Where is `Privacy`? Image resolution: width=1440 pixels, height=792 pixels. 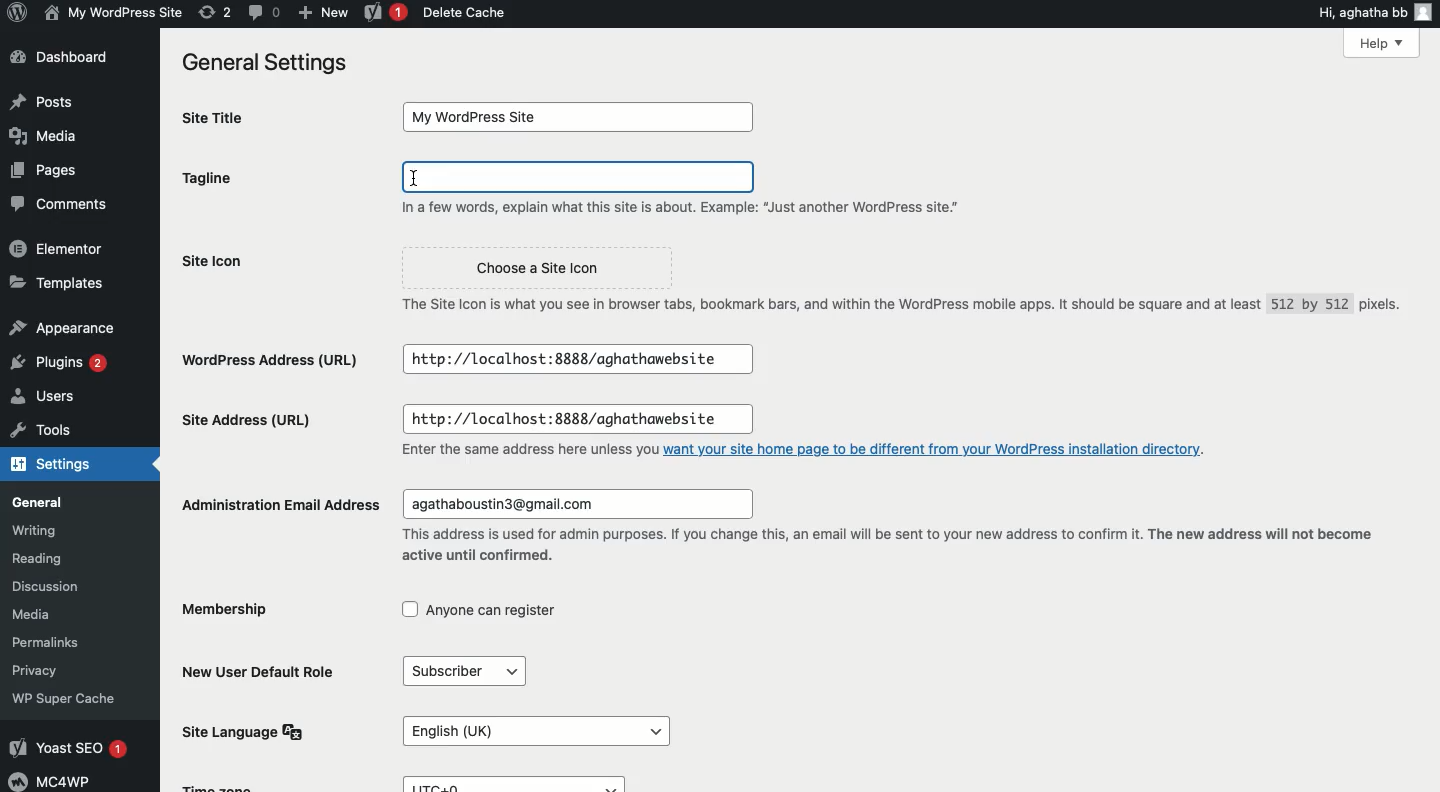 Privacy is located at coordinates (41, 668).